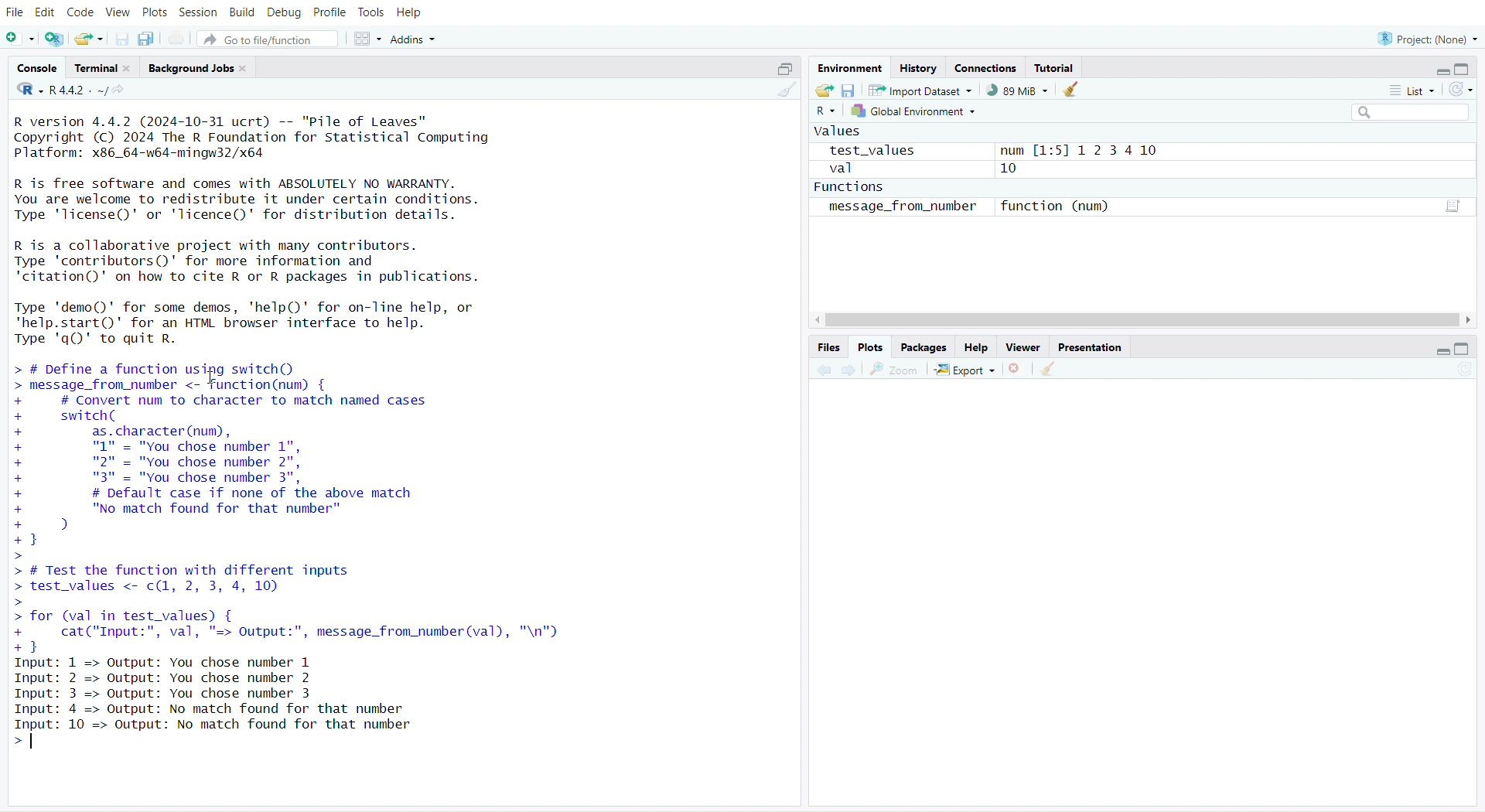  What do you see at coordinates (921, 92) in the screenshot?
I see `Import dataset` at bounding box center [921, 92].